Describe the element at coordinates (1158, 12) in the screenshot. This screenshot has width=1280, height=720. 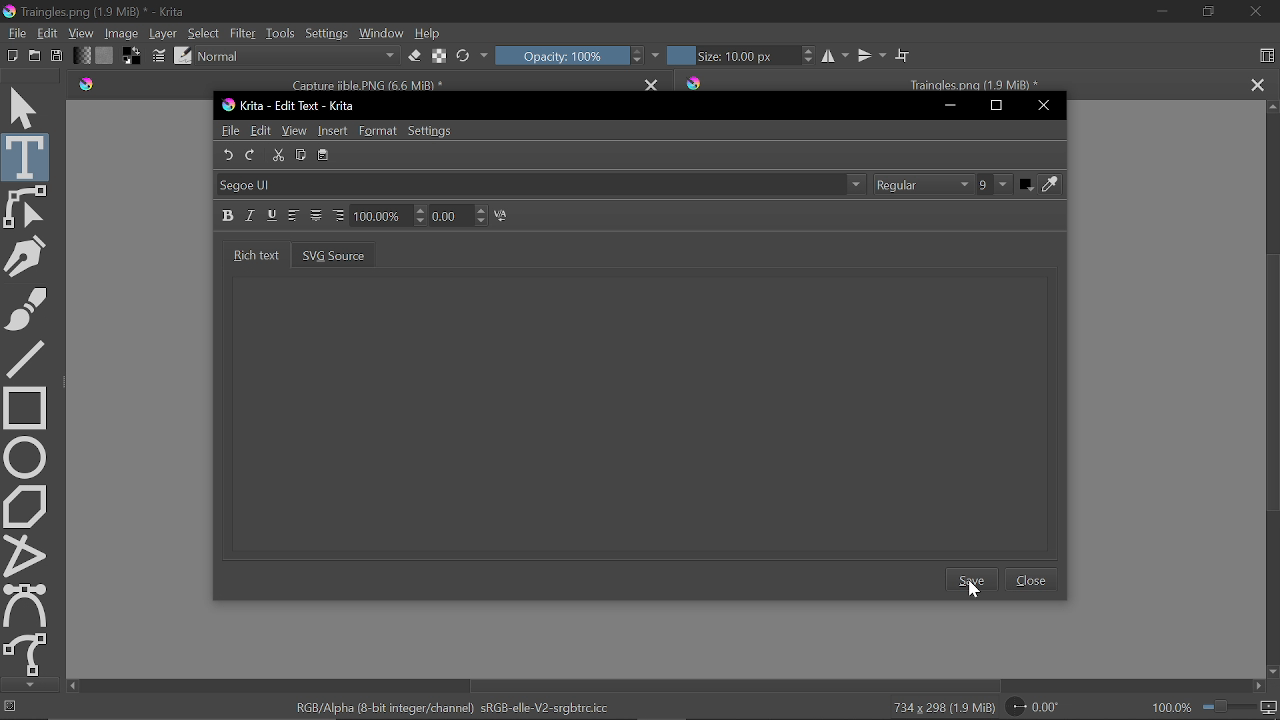
I see `Minimize` at that location.